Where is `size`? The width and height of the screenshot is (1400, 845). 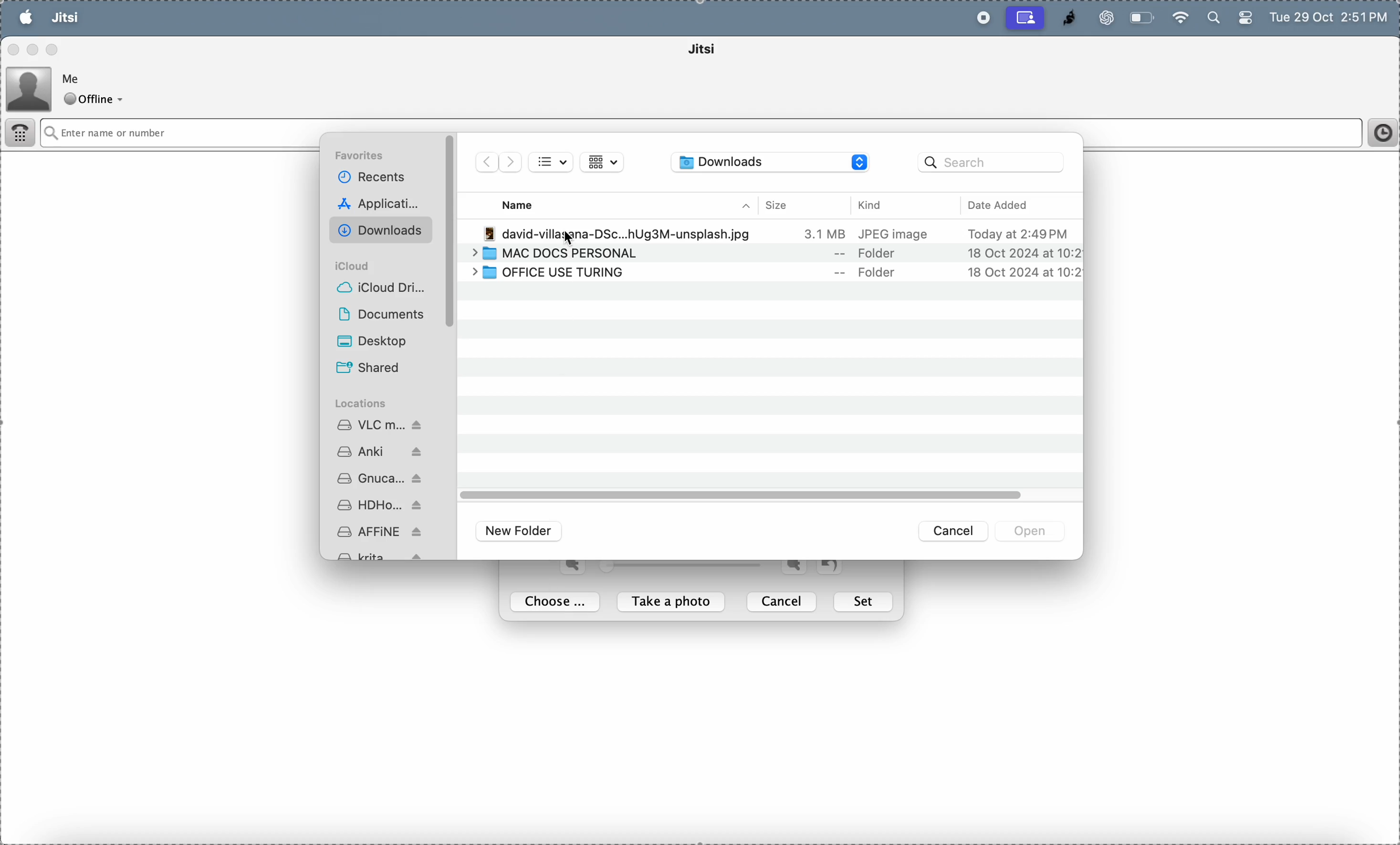 size is located at coordinates (786, 205).